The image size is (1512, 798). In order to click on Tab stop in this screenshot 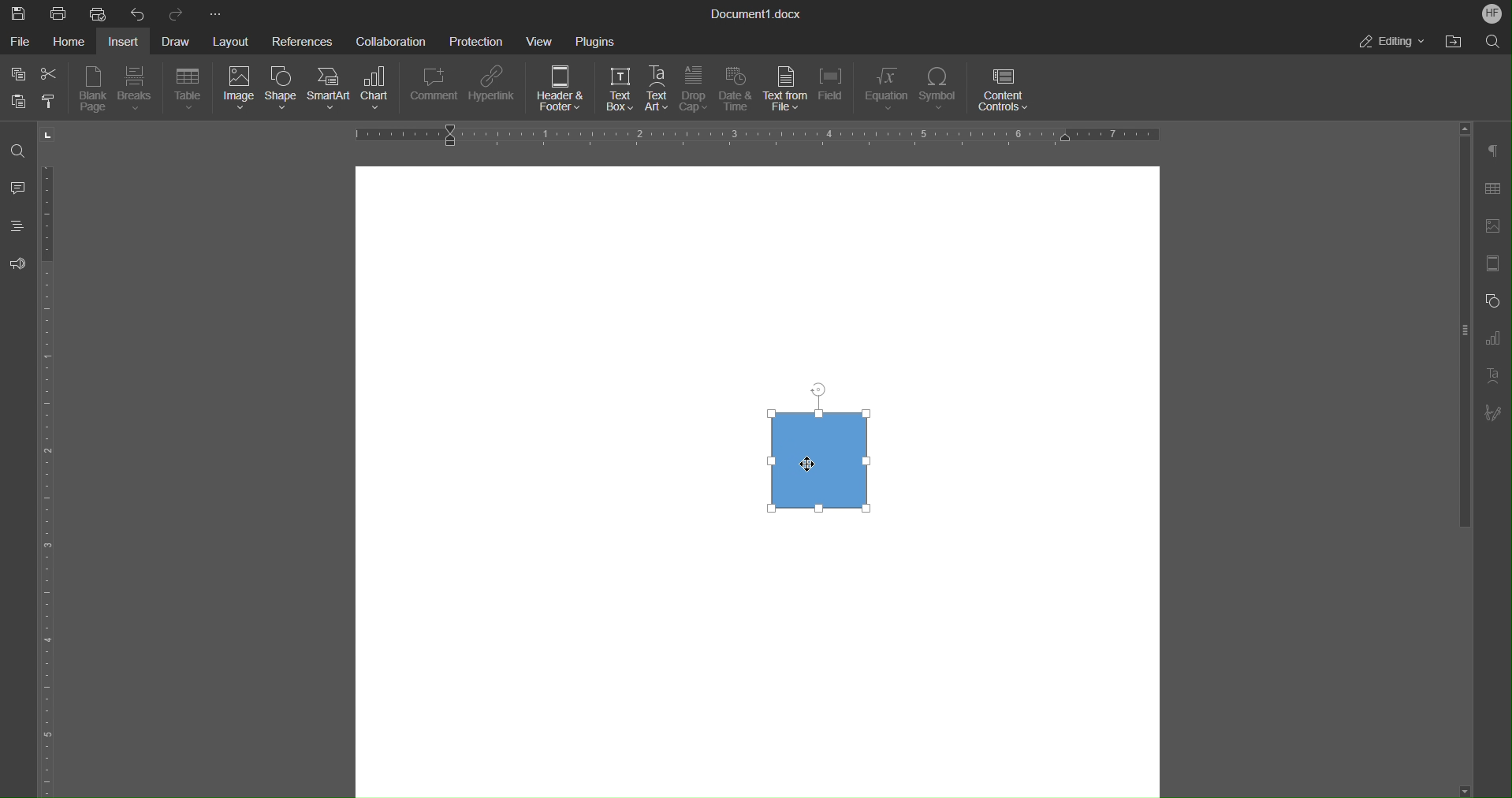, I will do `click(49, 135)`.